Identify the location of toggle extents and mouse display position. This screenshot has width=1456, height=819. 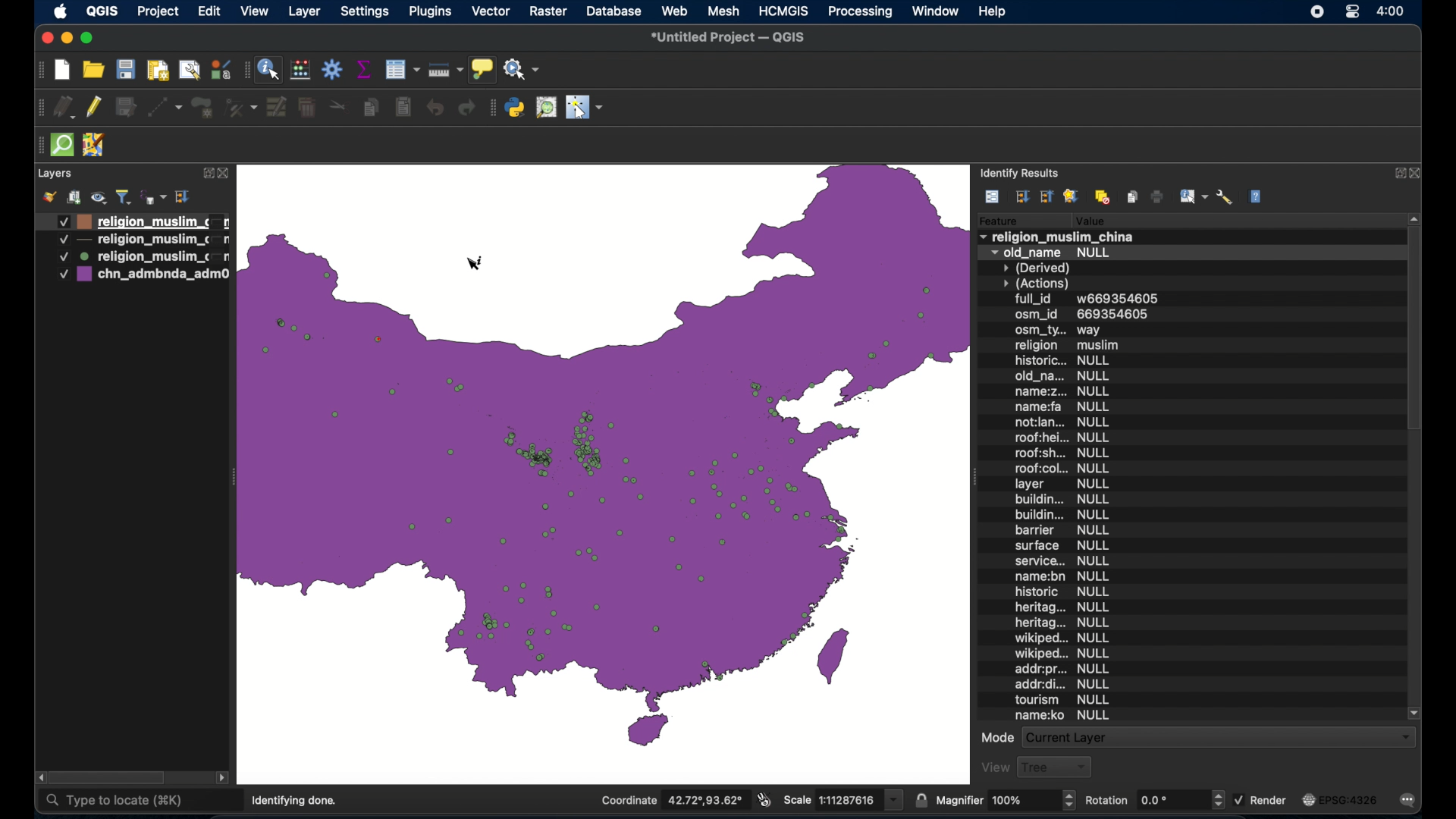
(765, 799).